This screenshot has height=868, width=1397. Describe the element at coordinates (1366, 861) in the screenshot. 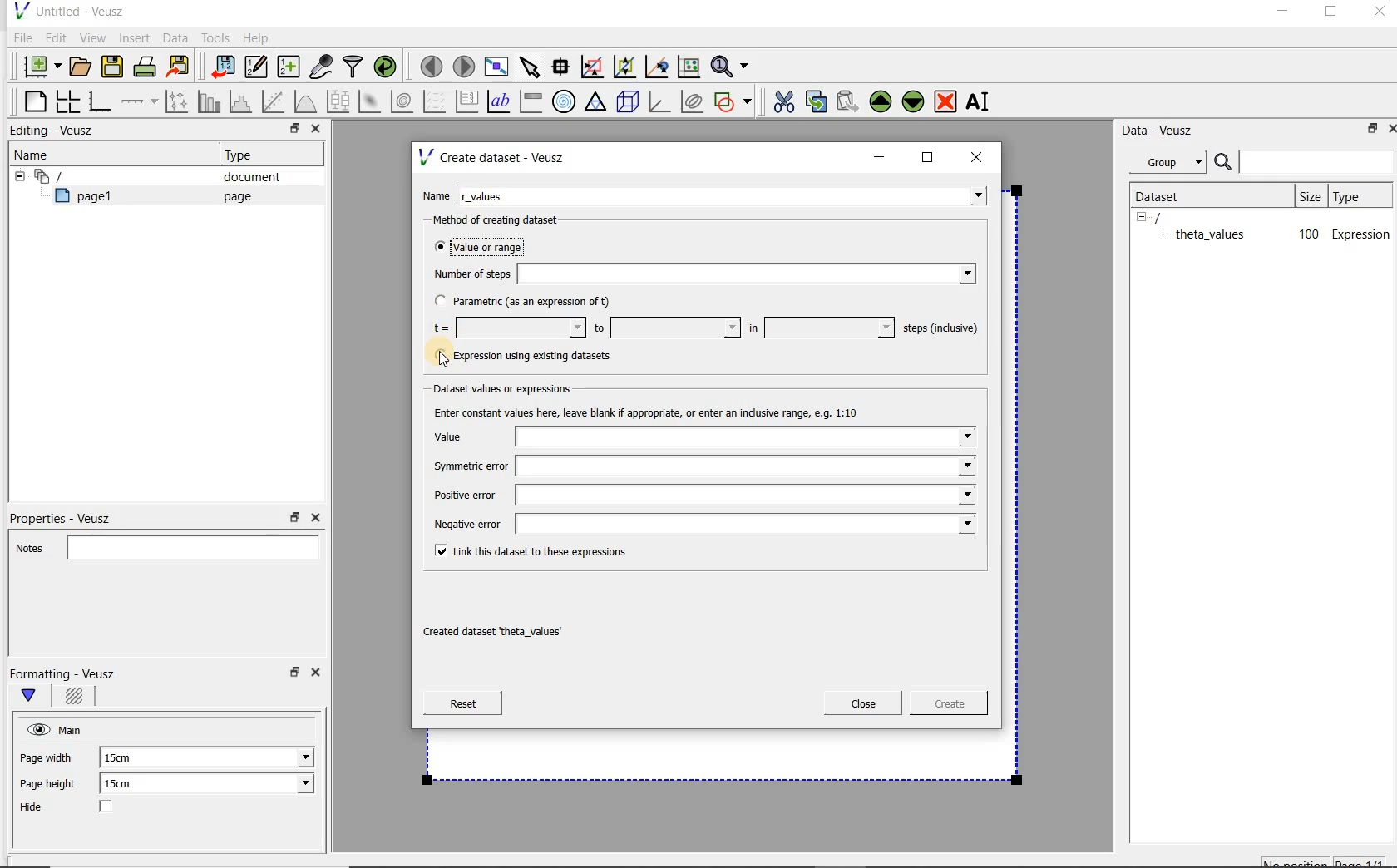

I see `page1/1` at that location.